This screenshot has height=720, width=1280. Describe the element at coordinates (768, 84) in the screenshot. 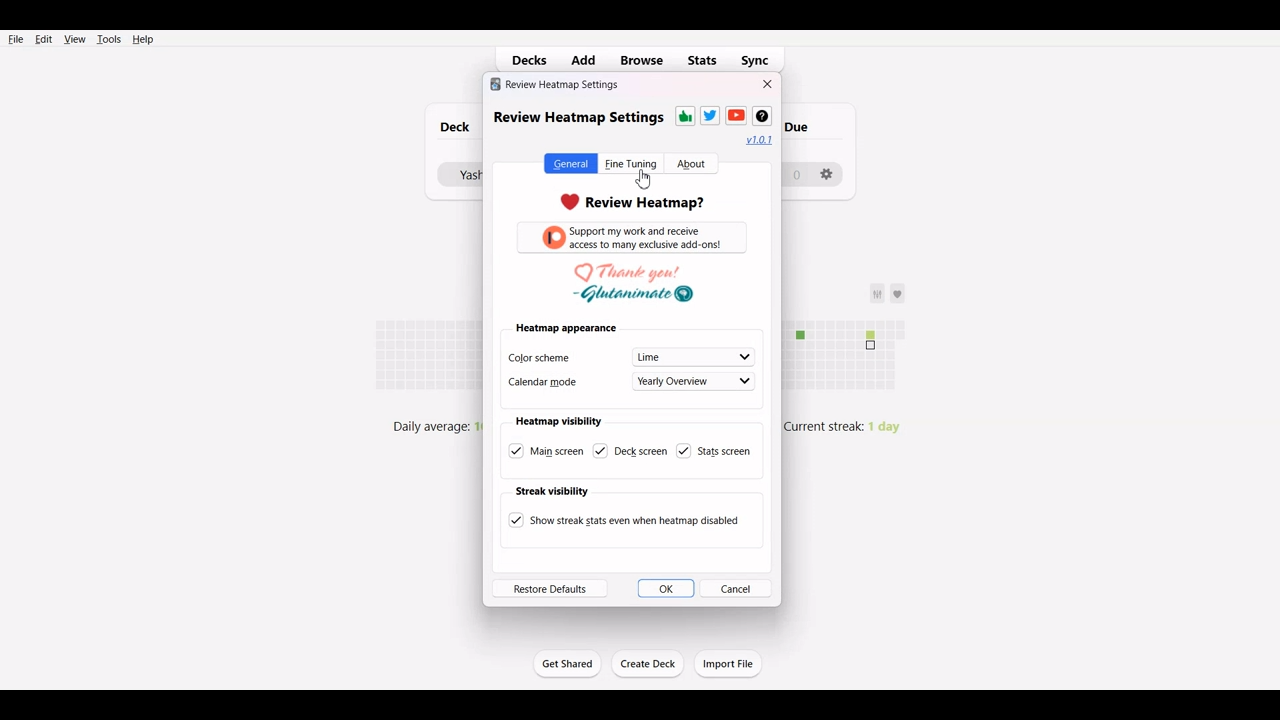

I see `Close` at that location.